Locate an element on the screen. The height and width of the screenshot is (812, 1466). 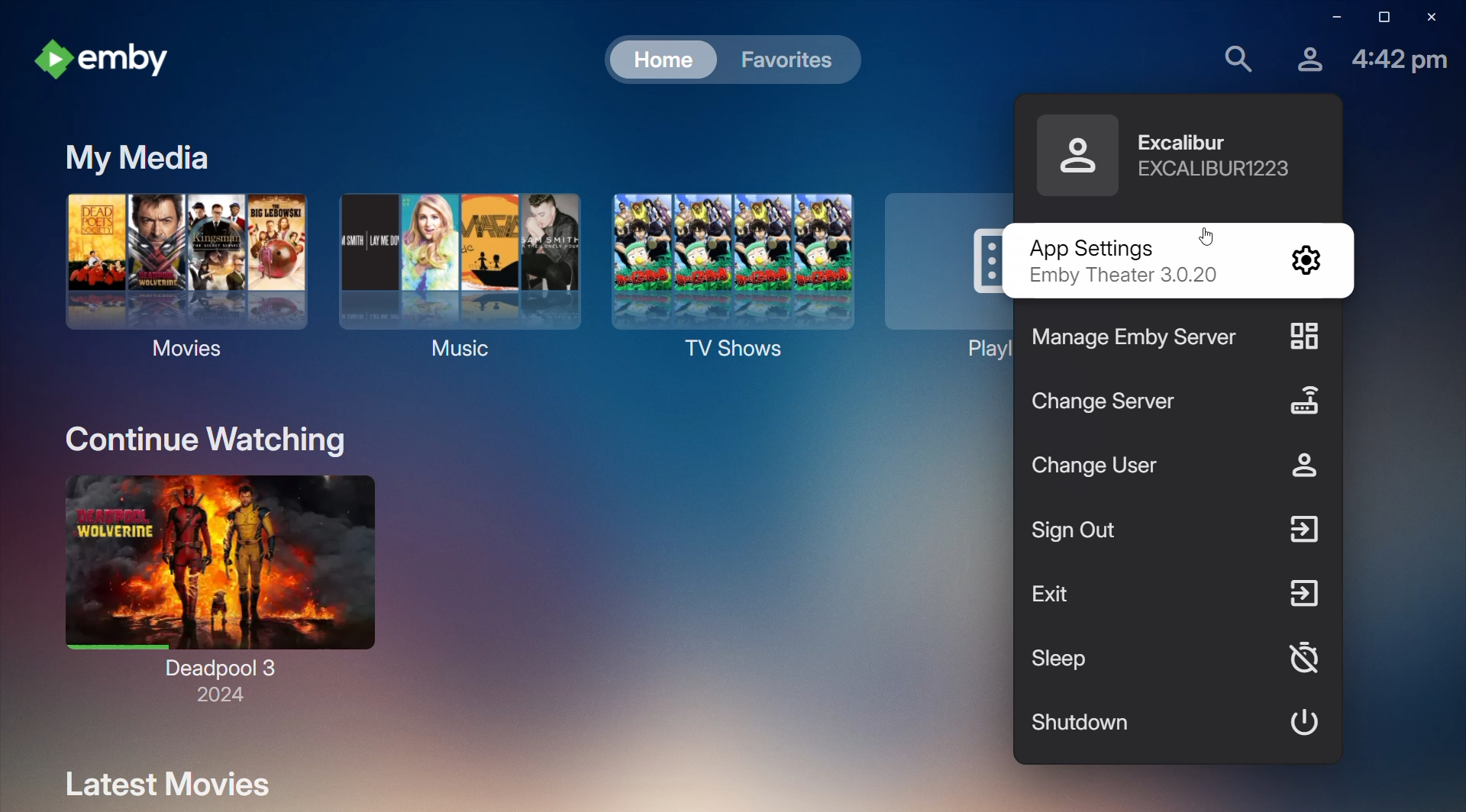
emby is located at coordinates (108, 59).